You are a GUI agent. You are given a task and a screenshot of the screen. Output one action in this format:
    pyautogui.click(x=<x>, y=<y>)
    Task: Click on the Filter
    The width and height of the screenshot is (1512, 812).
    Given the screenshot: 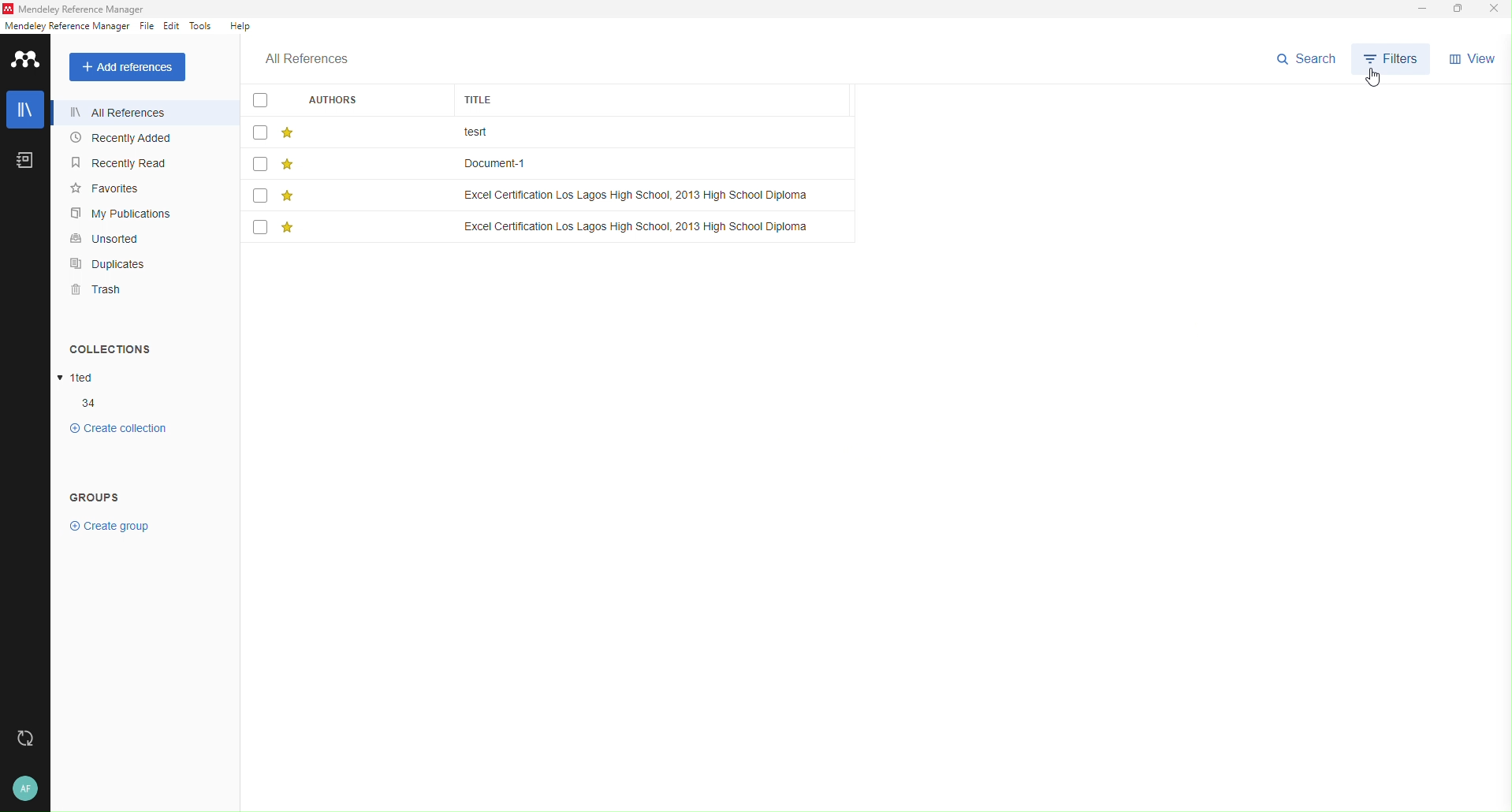 What is the action you would take?
    pyautogui.click(x=1392, y=58)
    